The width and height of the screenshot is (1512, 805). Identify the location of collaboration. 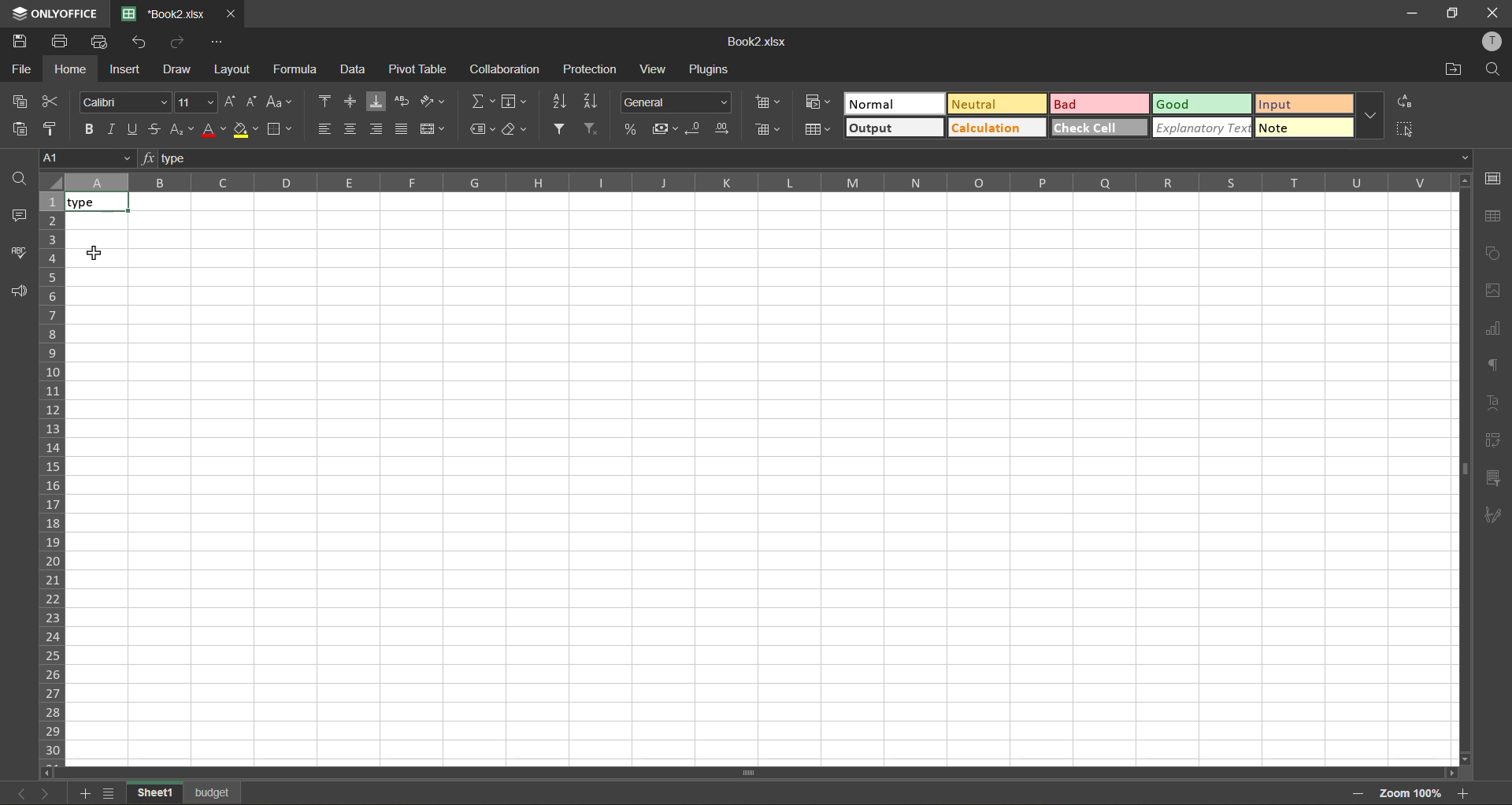
(502, 72).